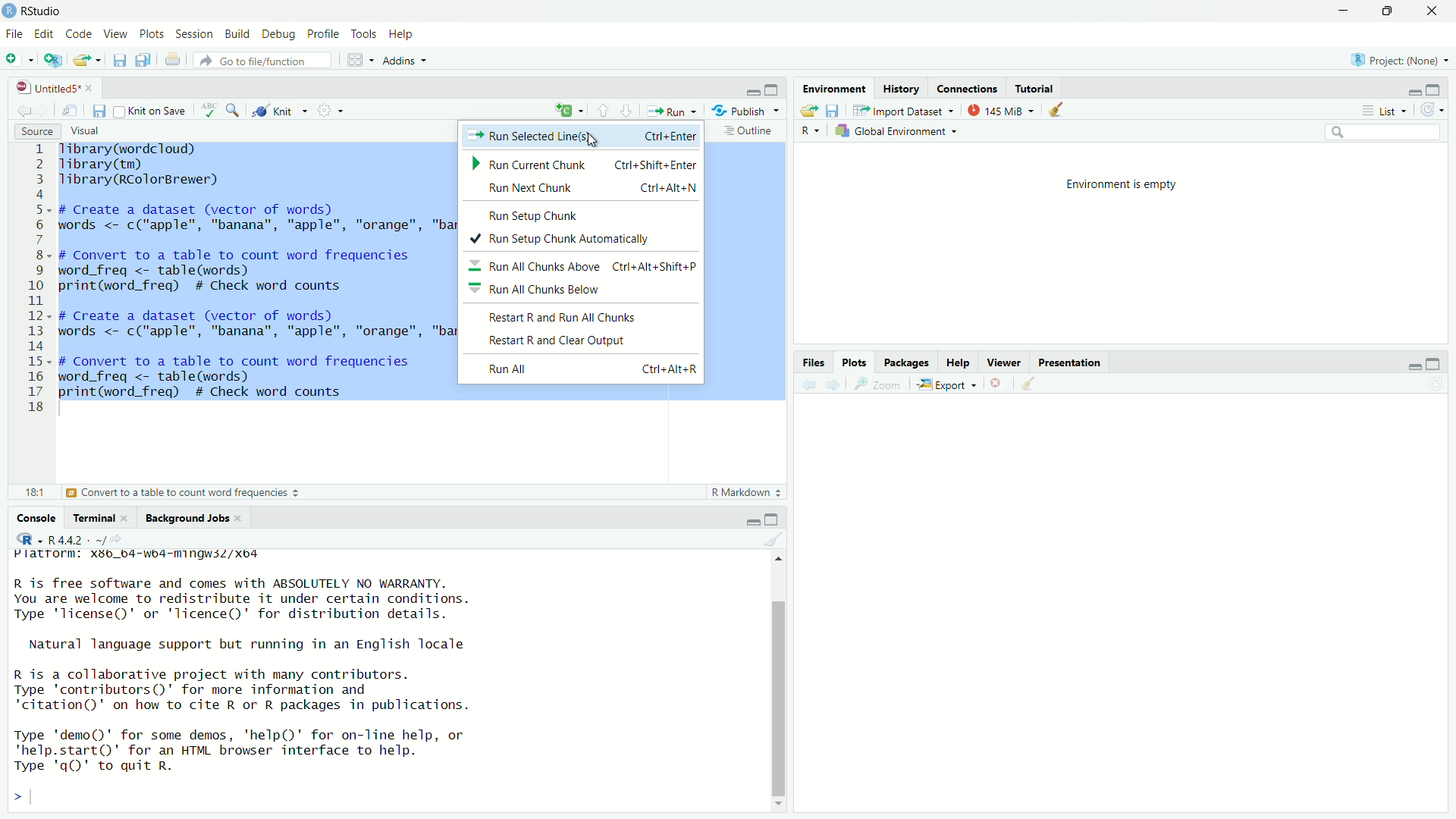 This screenshot has width=1456, height=819. Describe the element at coordinates (538, 289) in the screenshot. I see `Run all chunks below` at that location.